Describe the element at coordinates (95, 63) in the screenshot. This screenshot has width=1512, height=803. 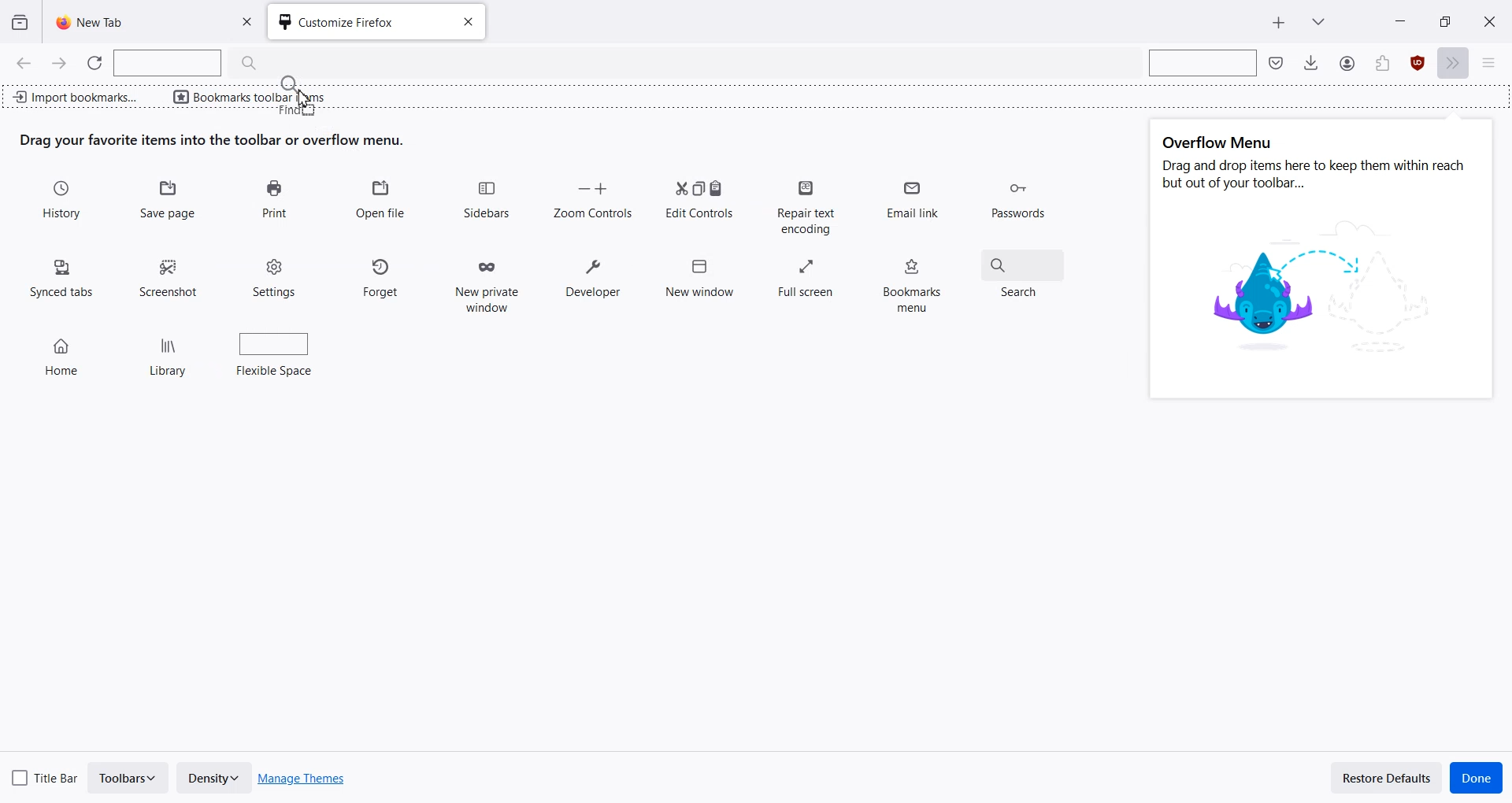
I see `Refresh` at that location.